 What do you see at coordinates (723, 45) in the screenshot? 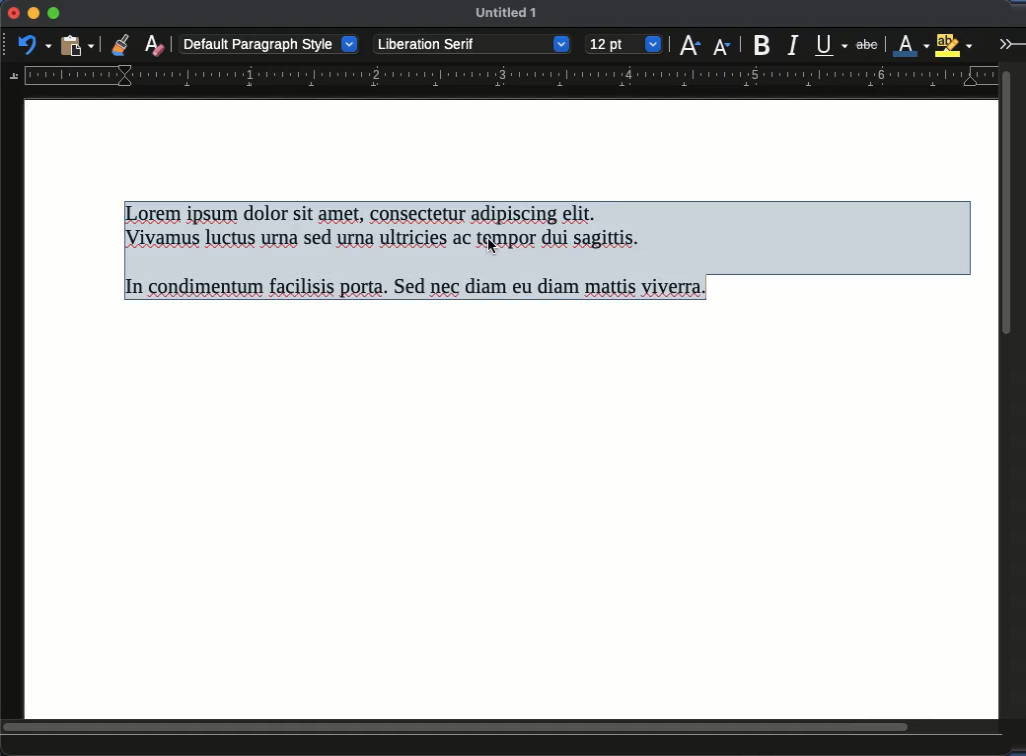
I see `decrease size` at bounding box center [723, 45].